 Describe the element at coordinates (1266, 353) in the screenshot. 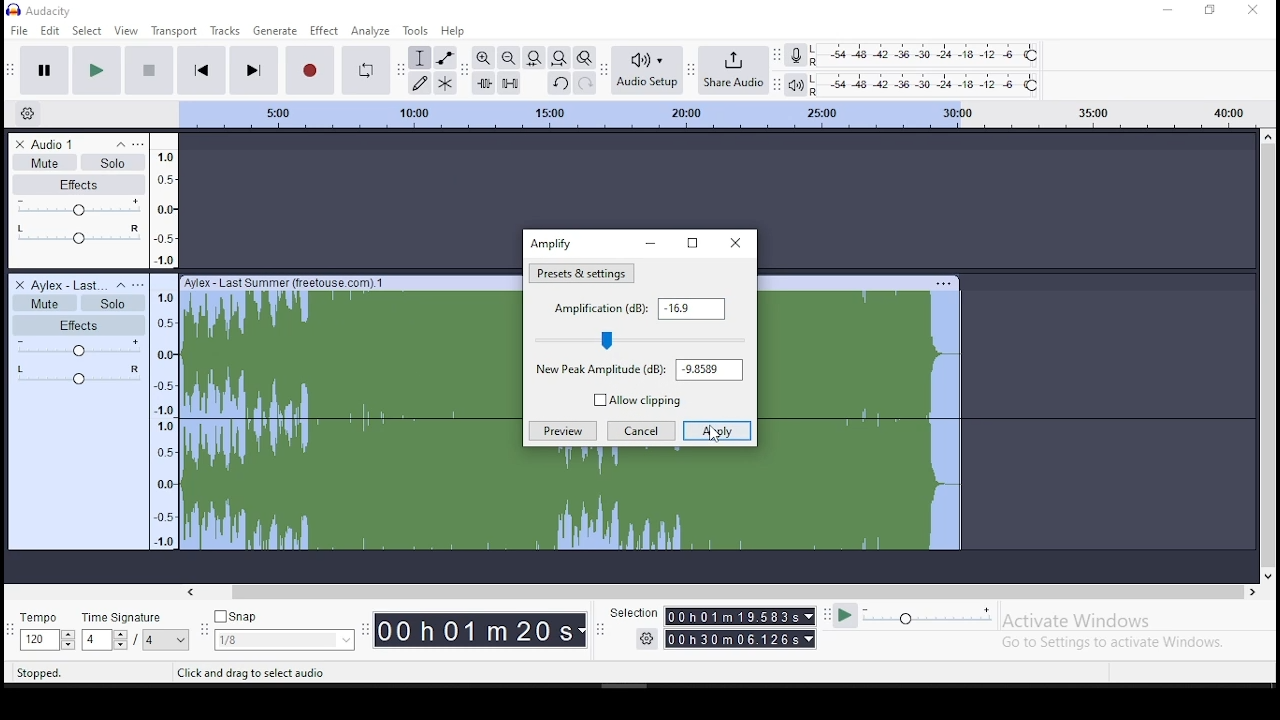

I see `scroll bar` at that location.